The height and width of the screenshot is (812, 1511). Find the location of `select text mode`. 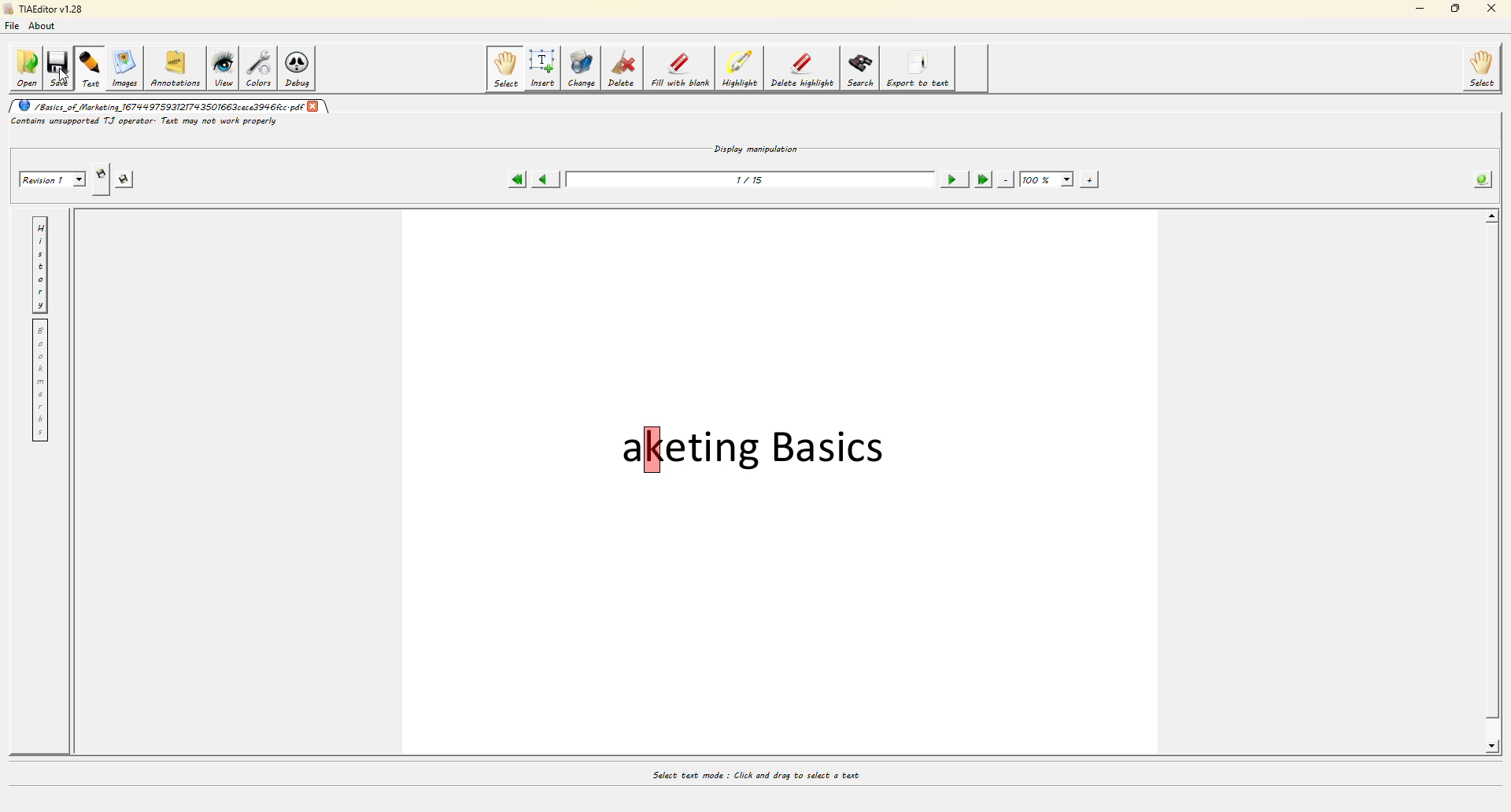

select text mode is located at coordinates (754, 773).